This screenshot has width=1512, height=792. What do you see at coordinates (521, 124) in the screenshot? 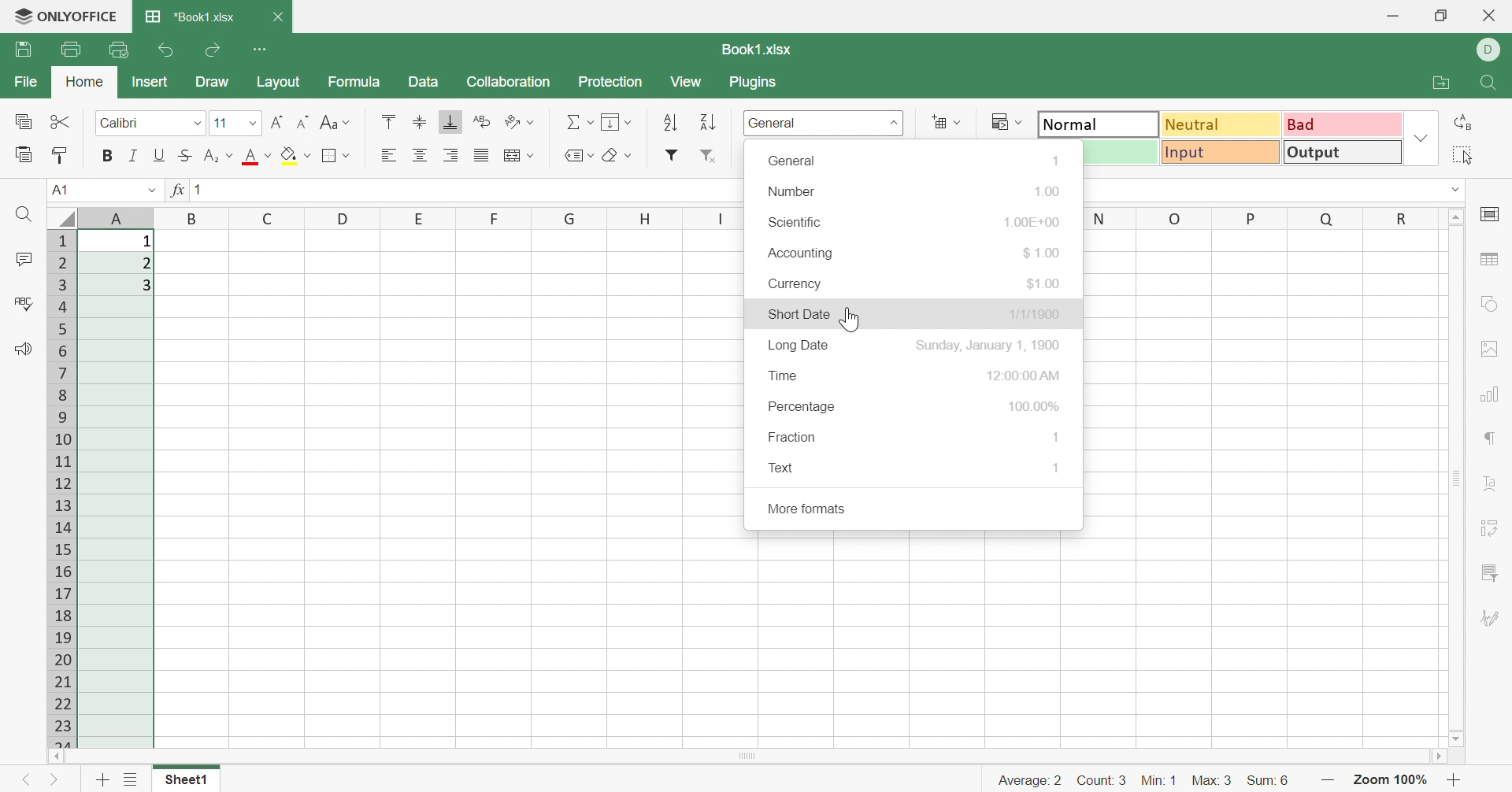
I see `Orientation` at bounding box center [521, 124].